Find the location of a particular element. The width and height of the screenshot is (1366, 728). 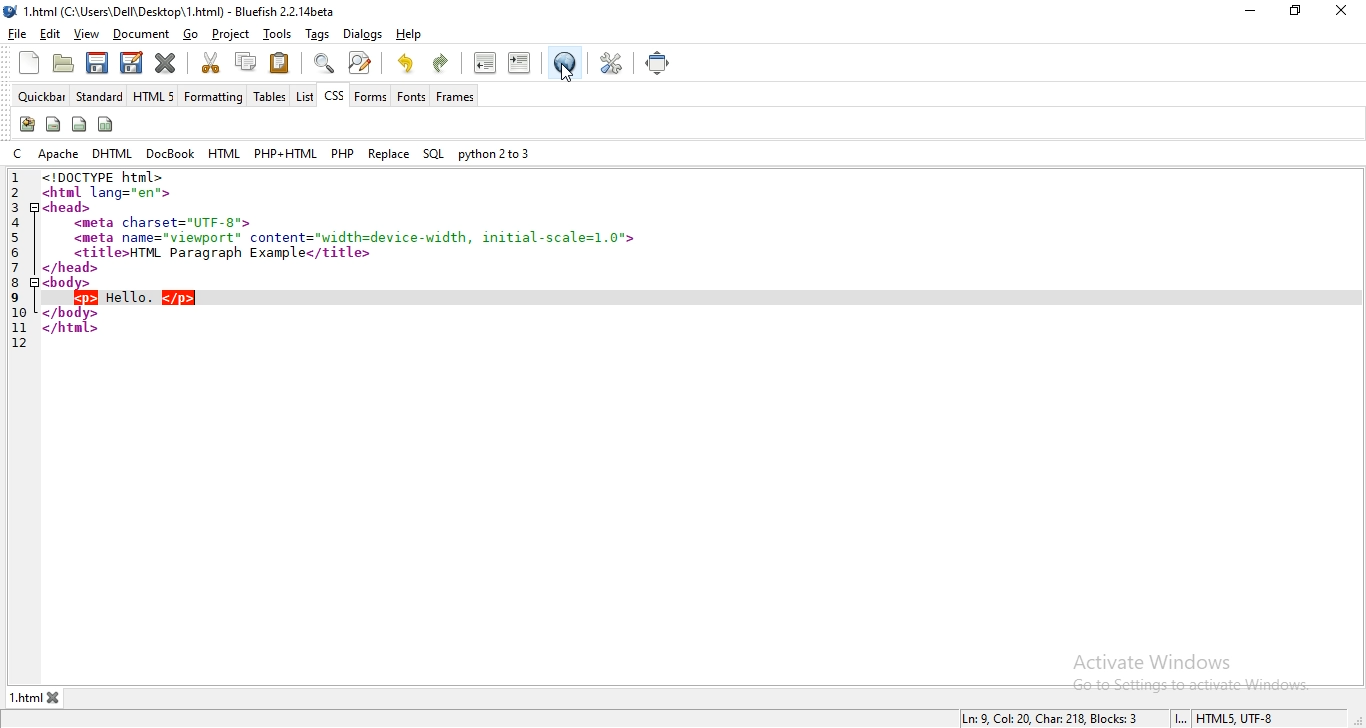

forms is located at coordinates (370, 96).